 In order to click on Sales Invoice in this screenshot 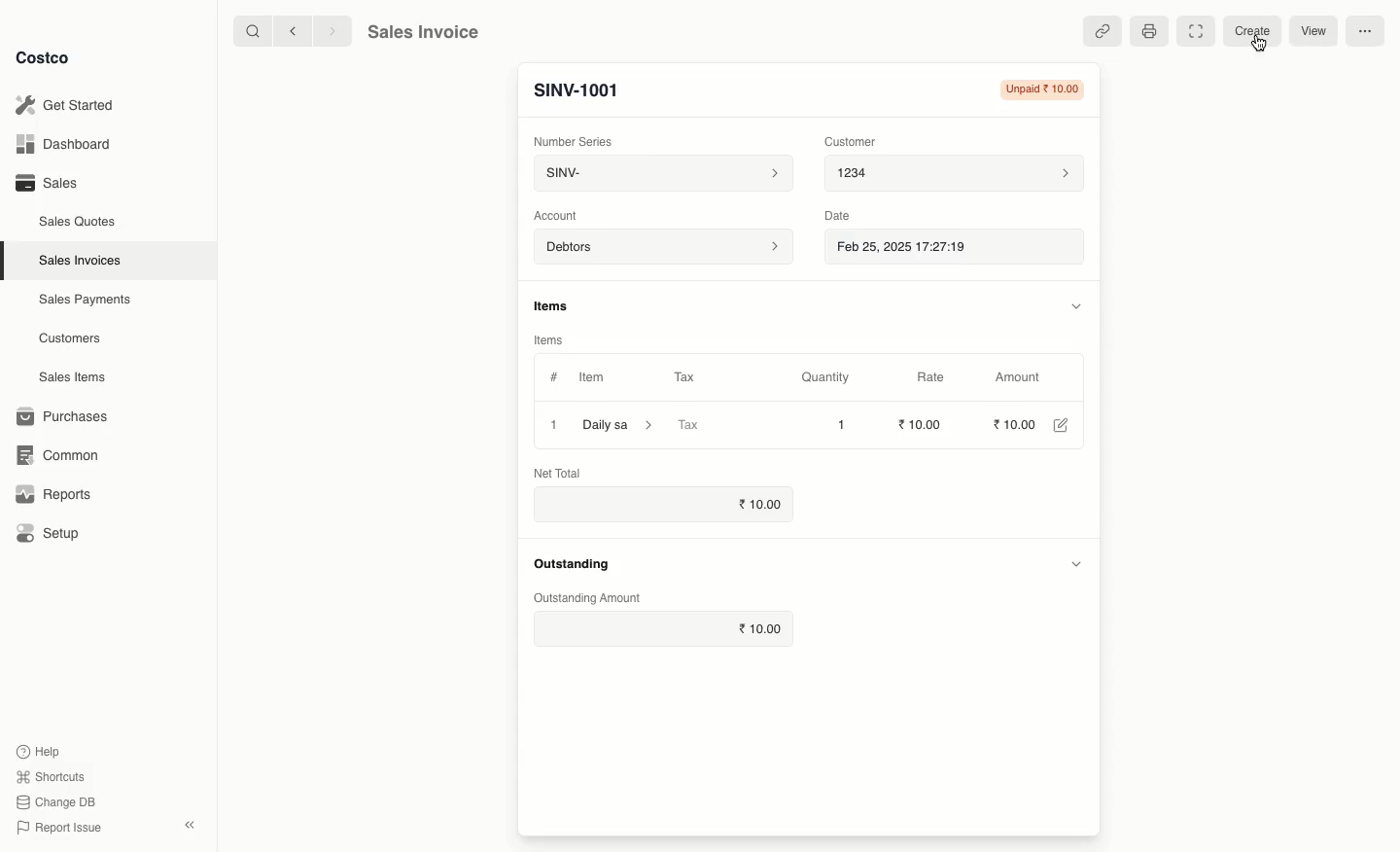, I will do `click(427, 32)`.